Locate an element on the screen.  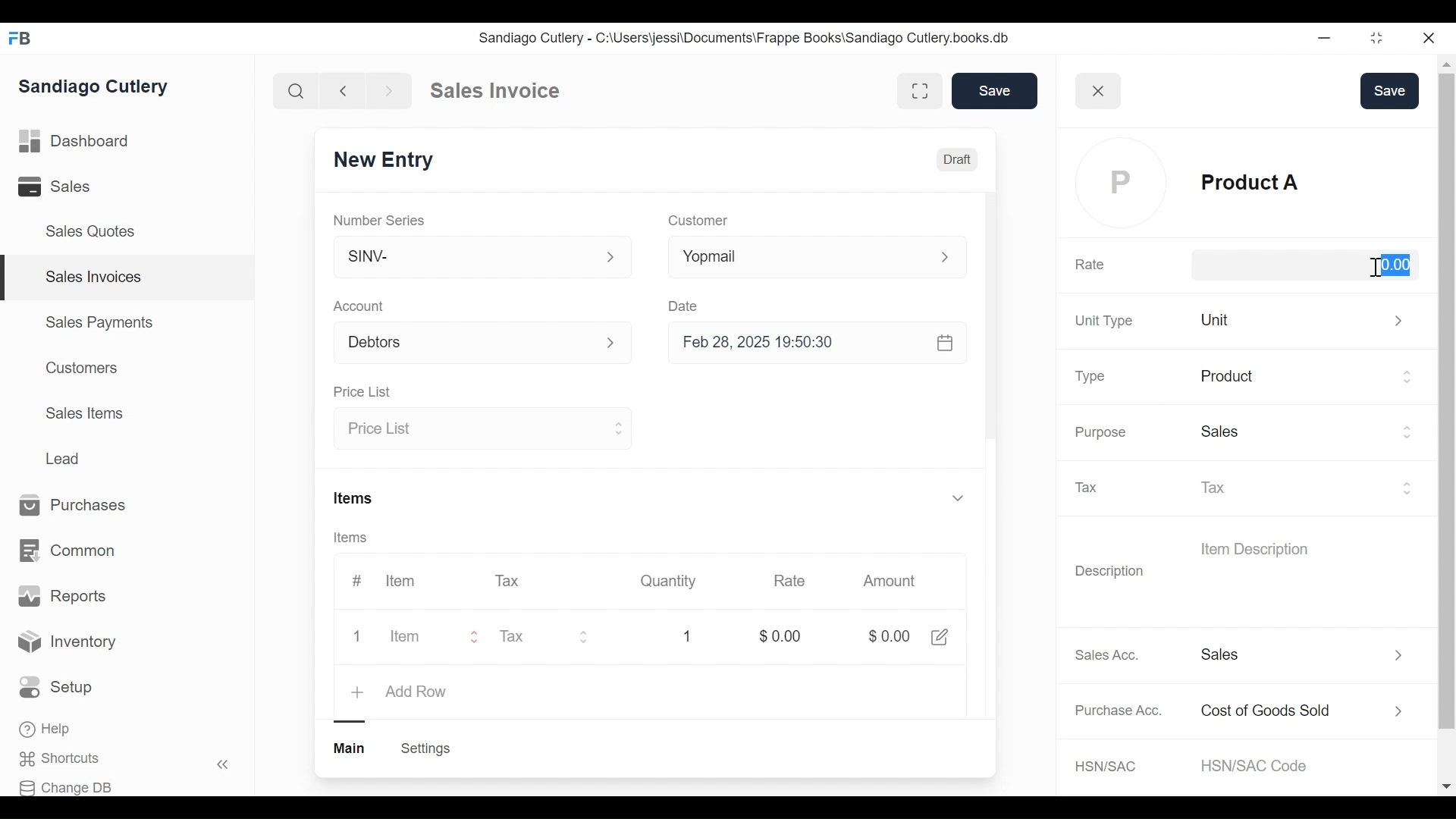
Sales is located at coordinates (57, 186).